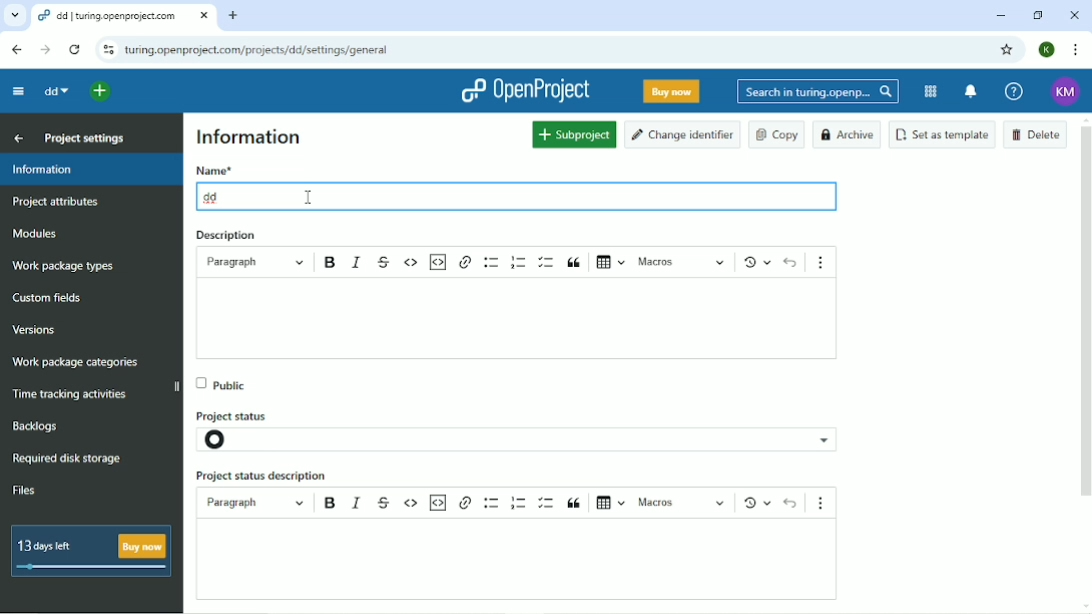 The image size is (1092, 614). What do you see at coordinates (36, 425) in the screenshot?
I see `Backlogs` at bounding box center [36, 425].